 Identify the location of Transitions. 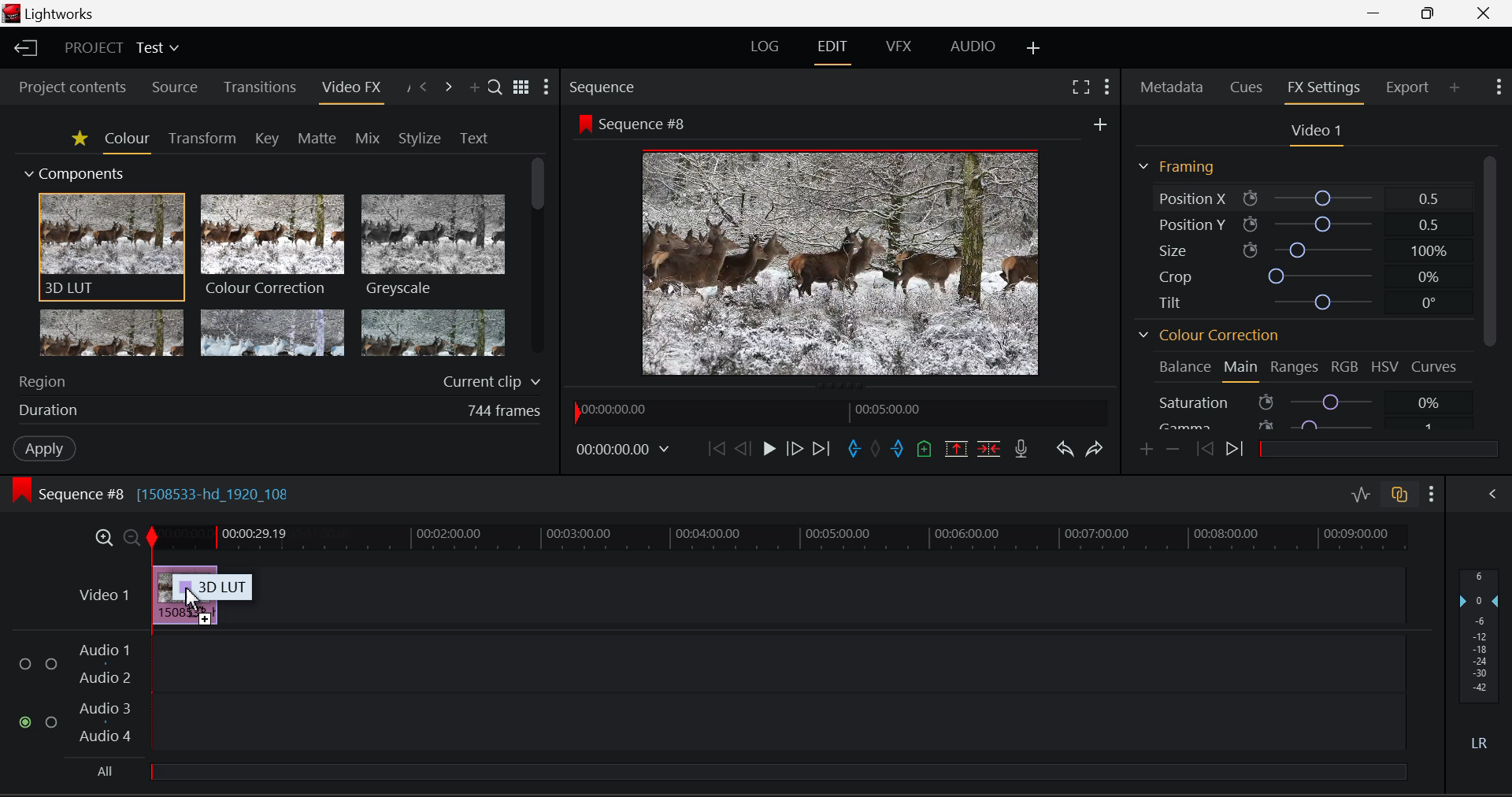
(261, 87).